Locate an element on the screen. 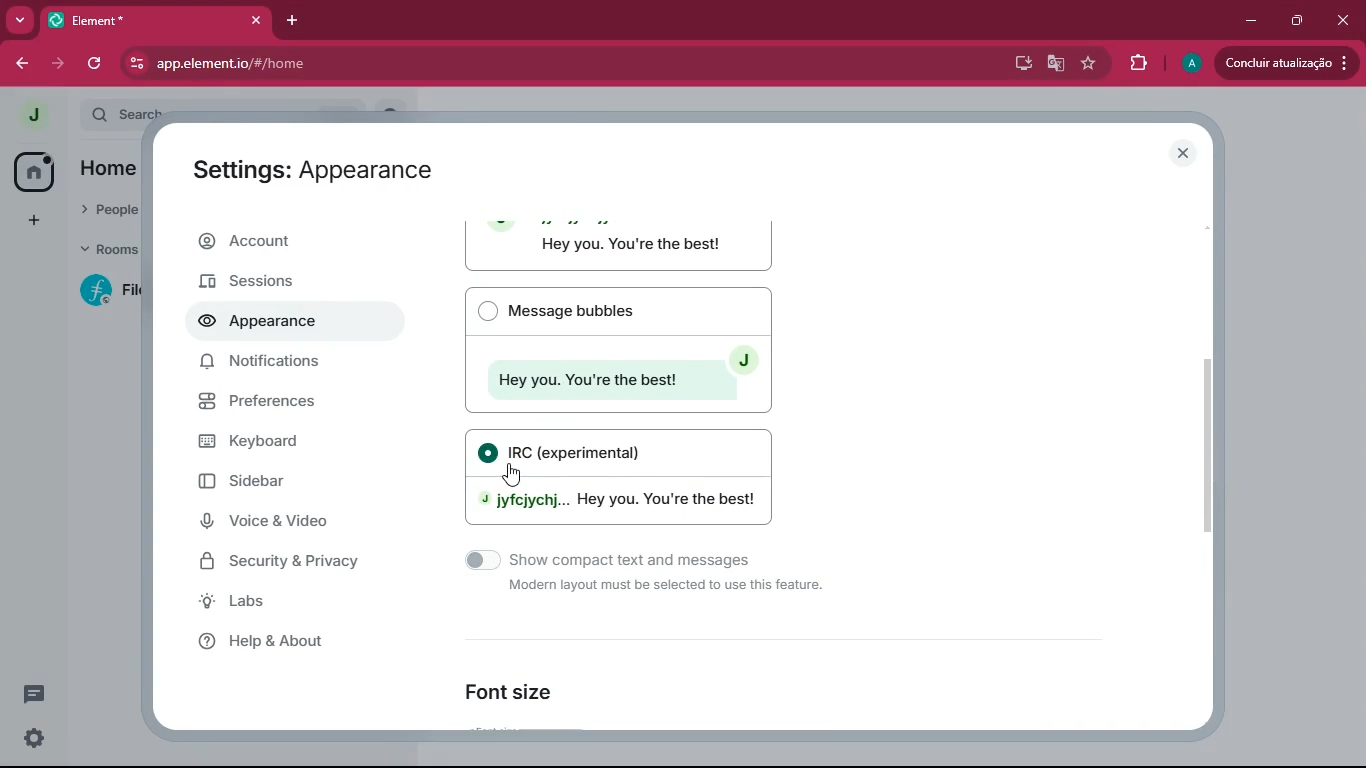  voice is located at coordinates (289, 522).